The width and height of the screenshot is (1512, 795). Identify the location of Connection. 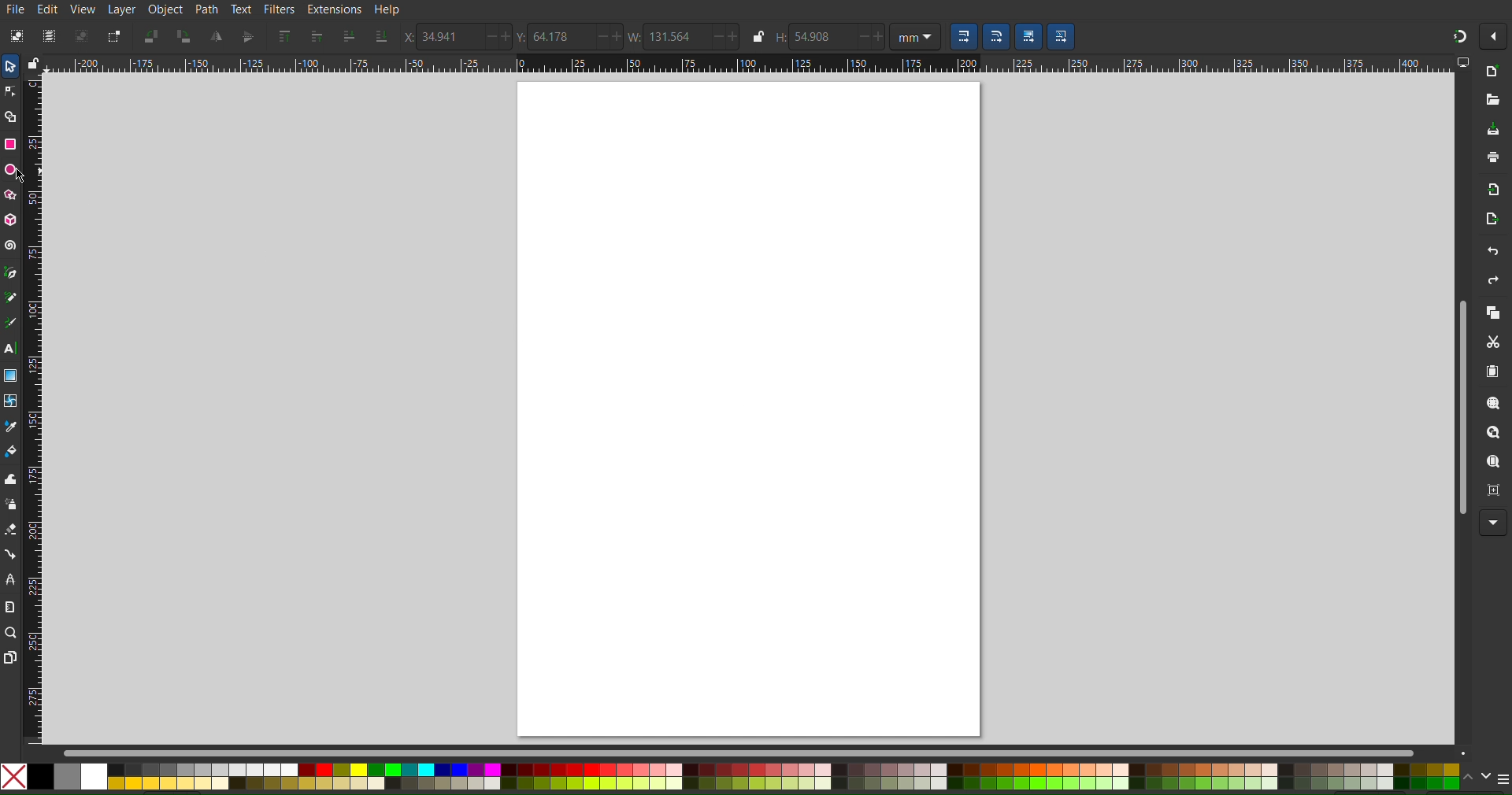
(10, 555).